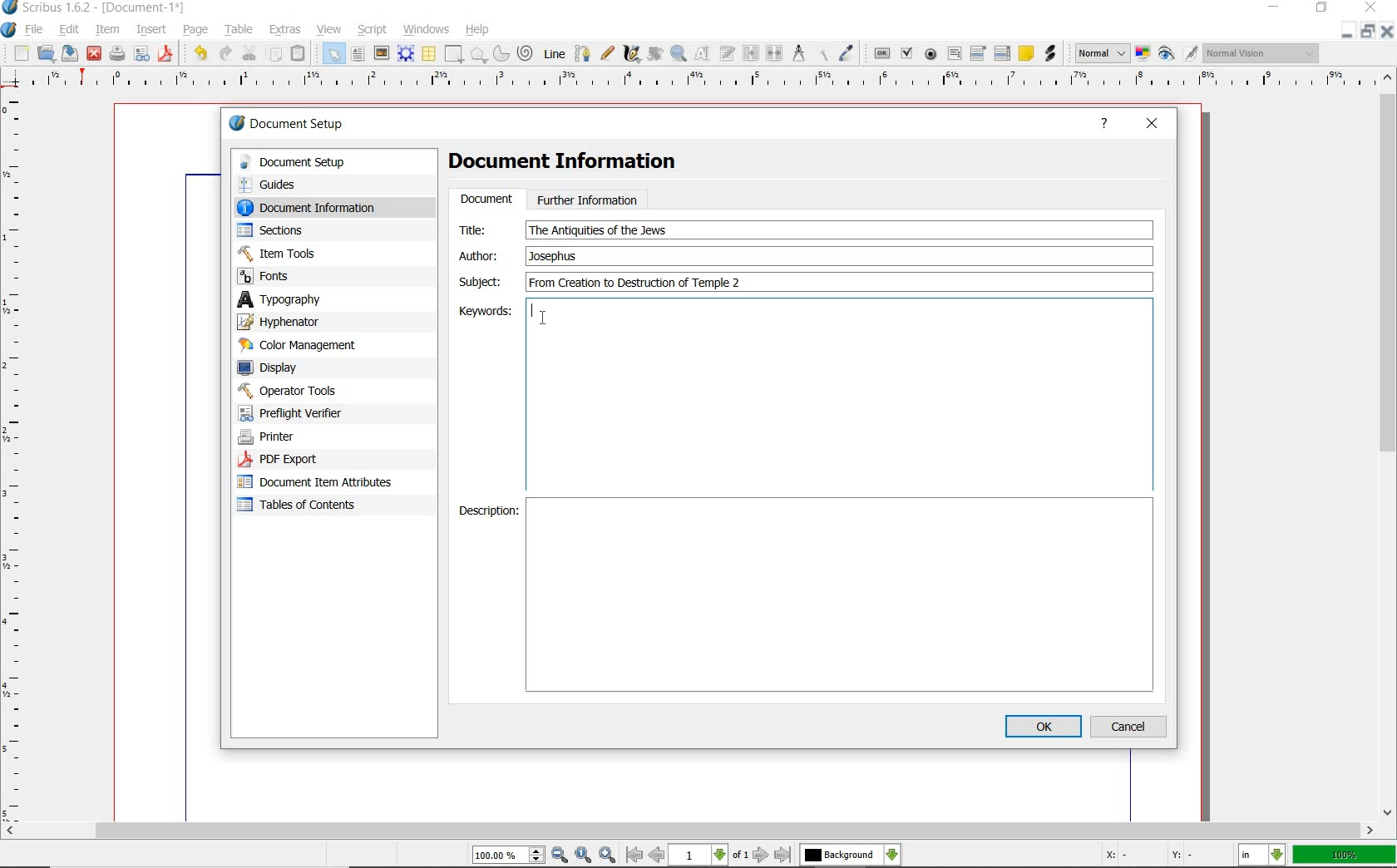 The height and width of the screenshot is (868, 1397). I want to click on undo, so click(200, 55).